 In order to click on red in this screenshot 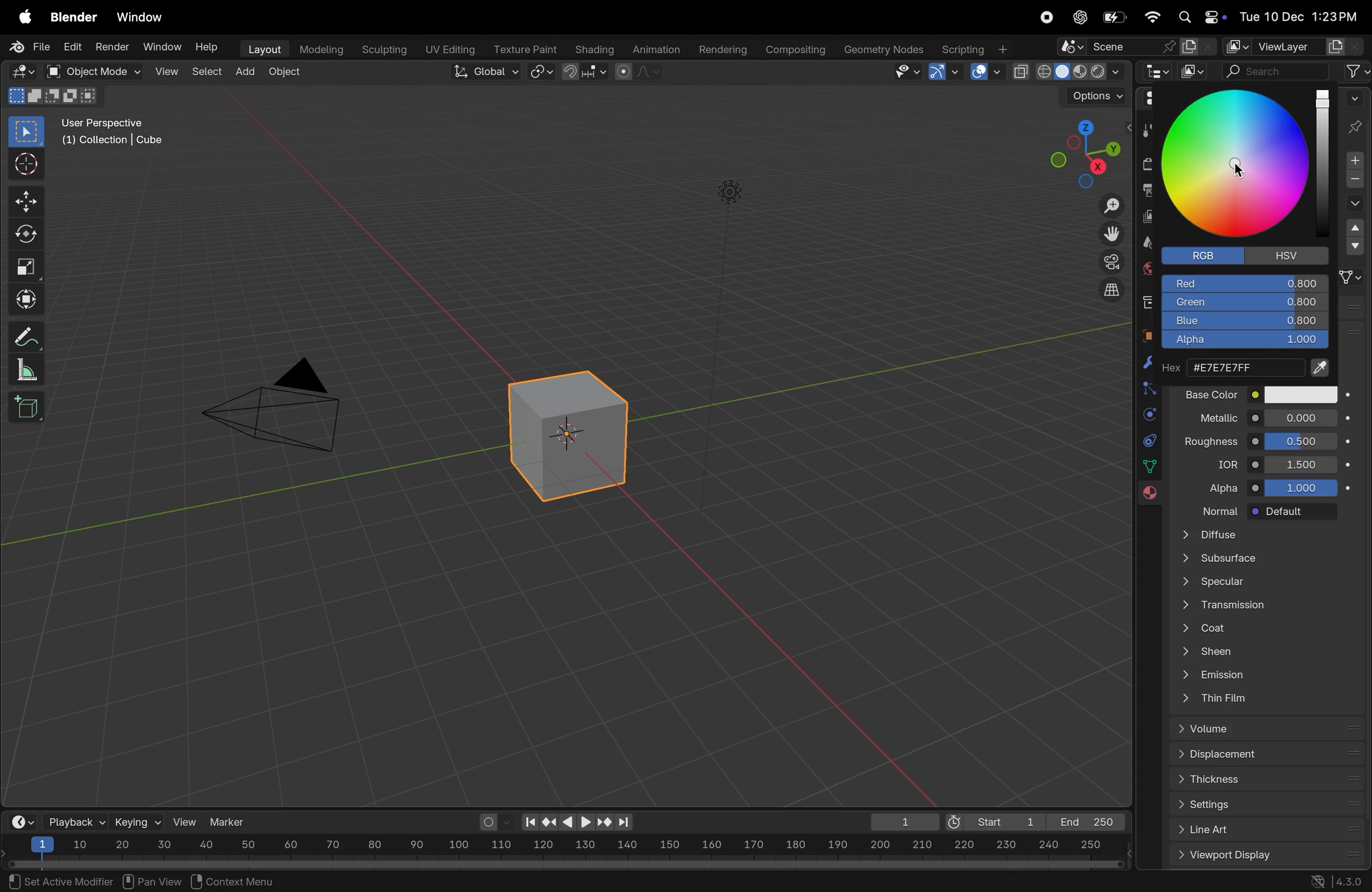, I will do `click(1246, 282)`.